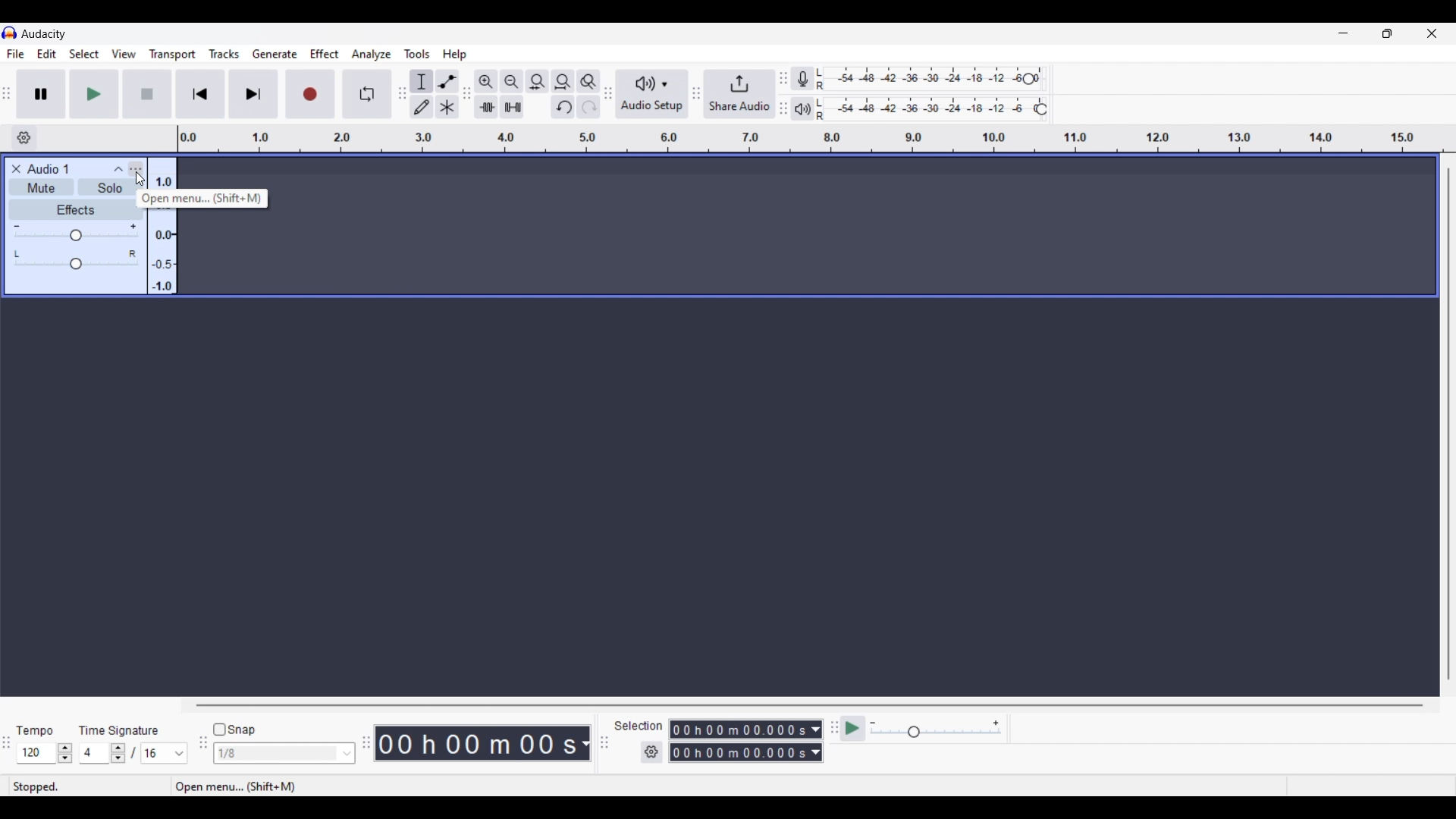  Describe the element at coordinates (512, 107) in the screenshot. I see `Silence audio selection` at that location.